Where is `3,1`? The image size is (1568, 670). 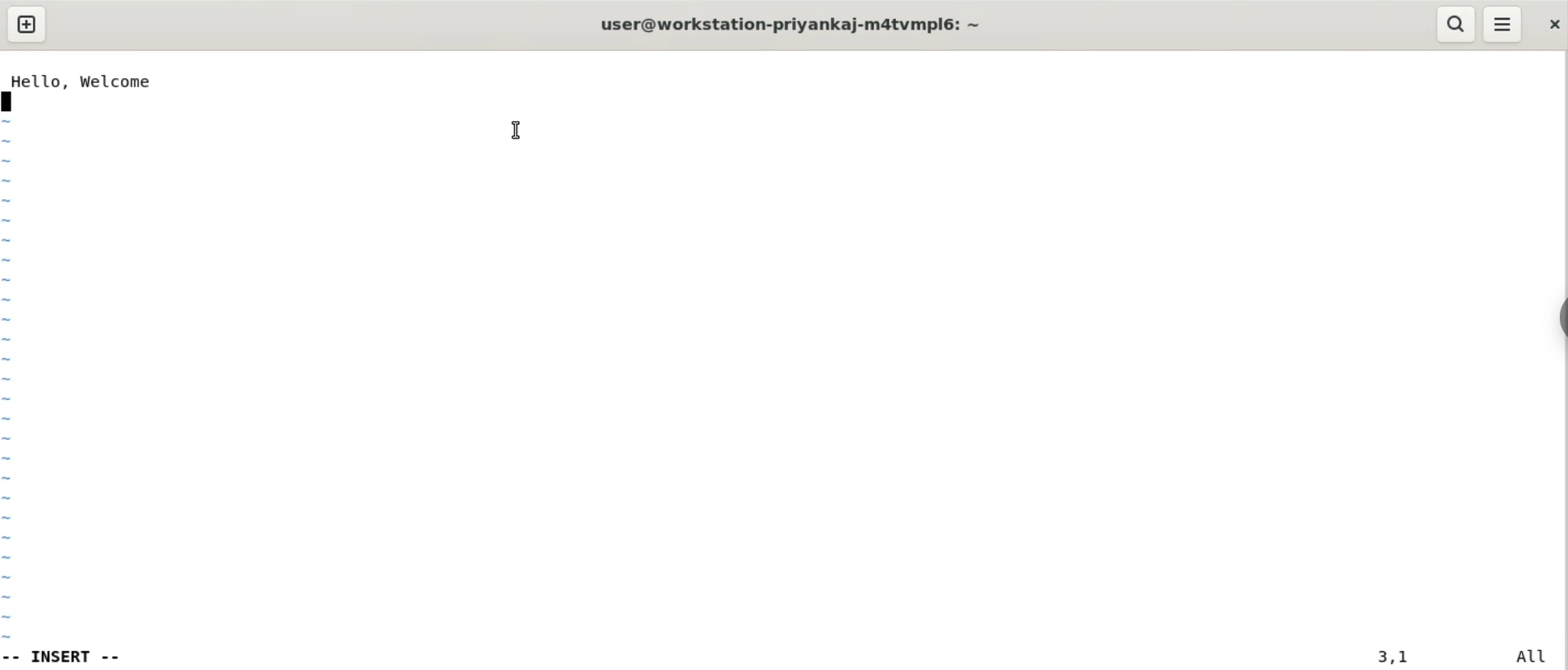 3,1 is located at coordinates (1390, 657).